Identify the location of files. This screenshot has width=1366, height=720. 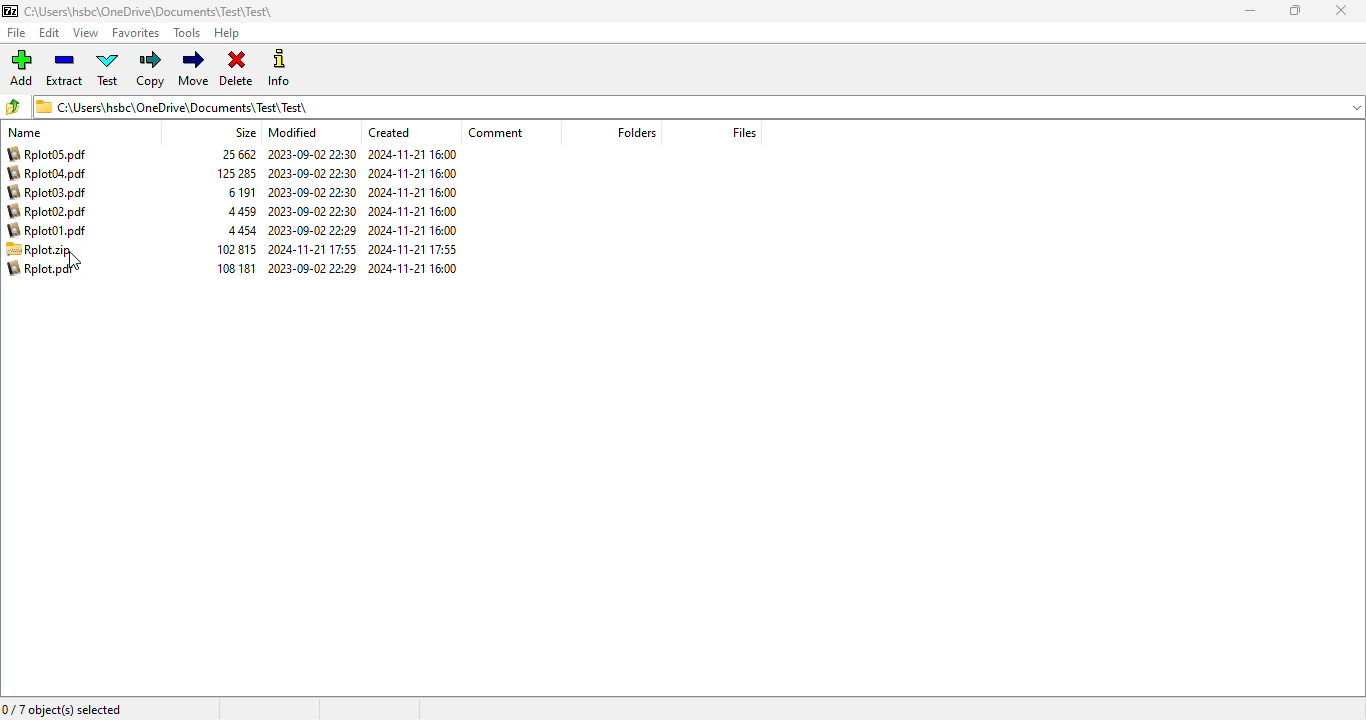
(743, 132).